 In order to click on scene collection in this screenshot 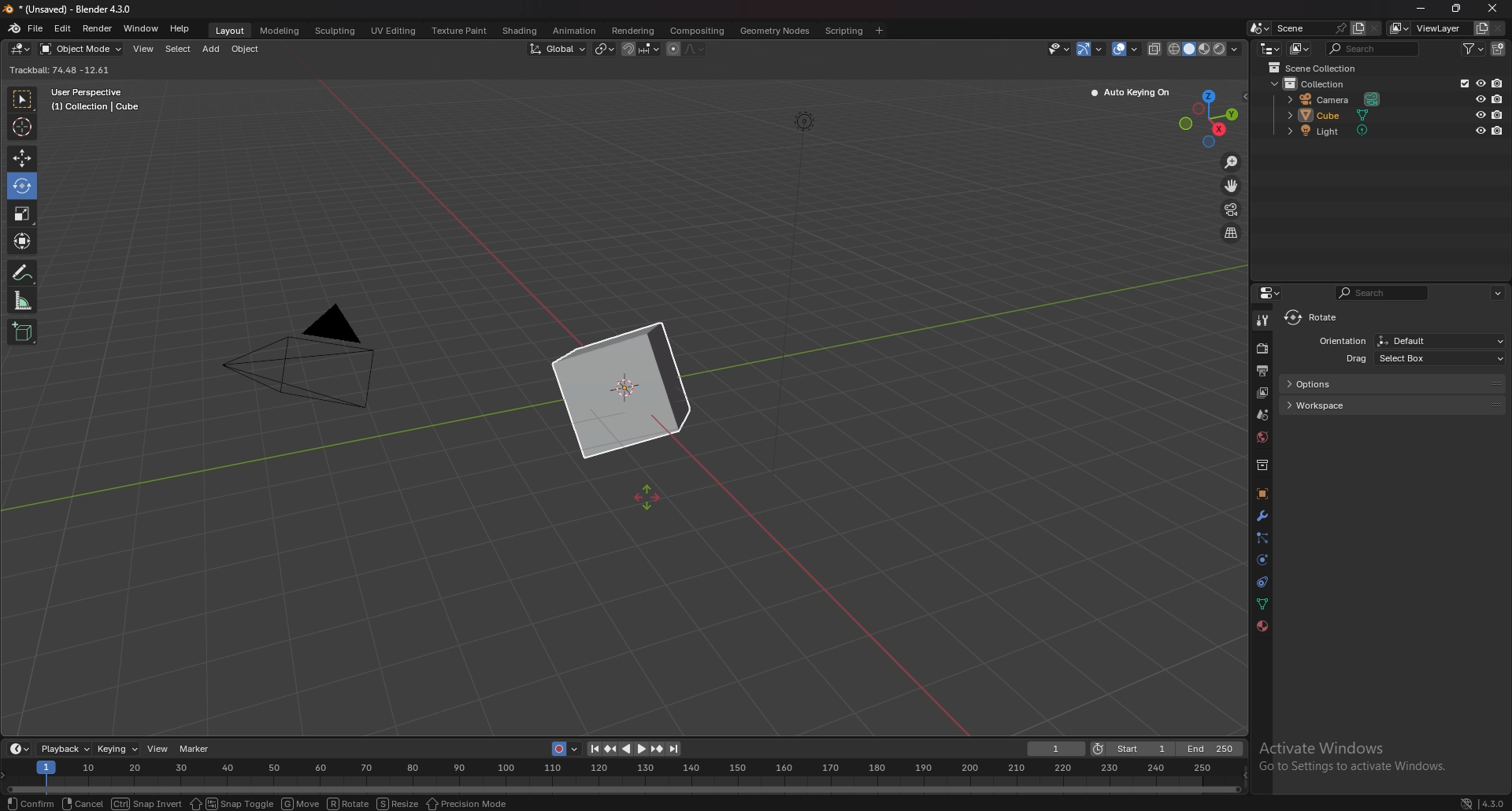, I will do `click(1317, 68)`.